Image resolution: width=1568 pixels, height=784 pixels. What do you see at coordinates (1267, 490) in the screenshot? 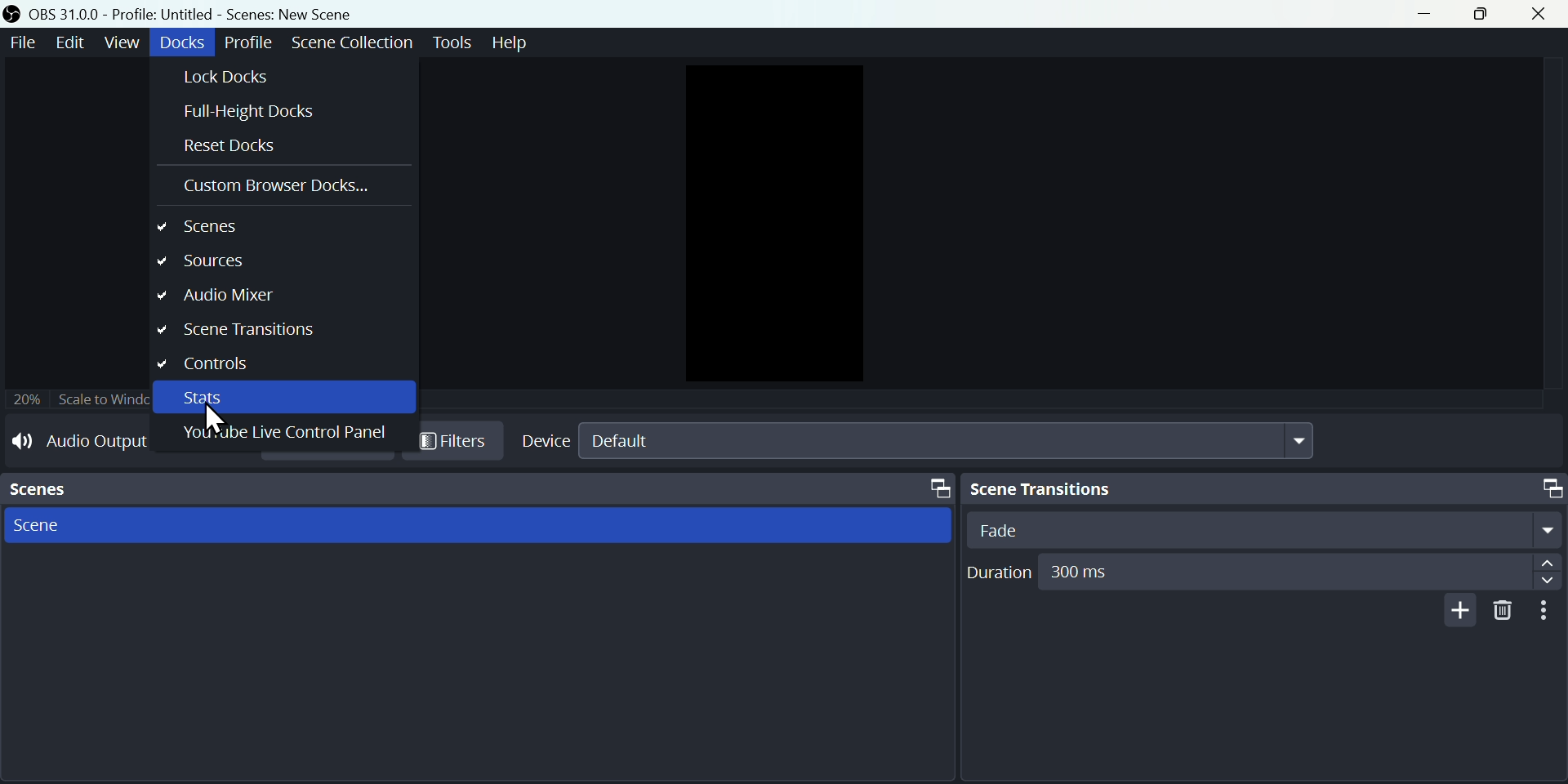
I see `Scene Transitions` at bounding box center [1267, 490].